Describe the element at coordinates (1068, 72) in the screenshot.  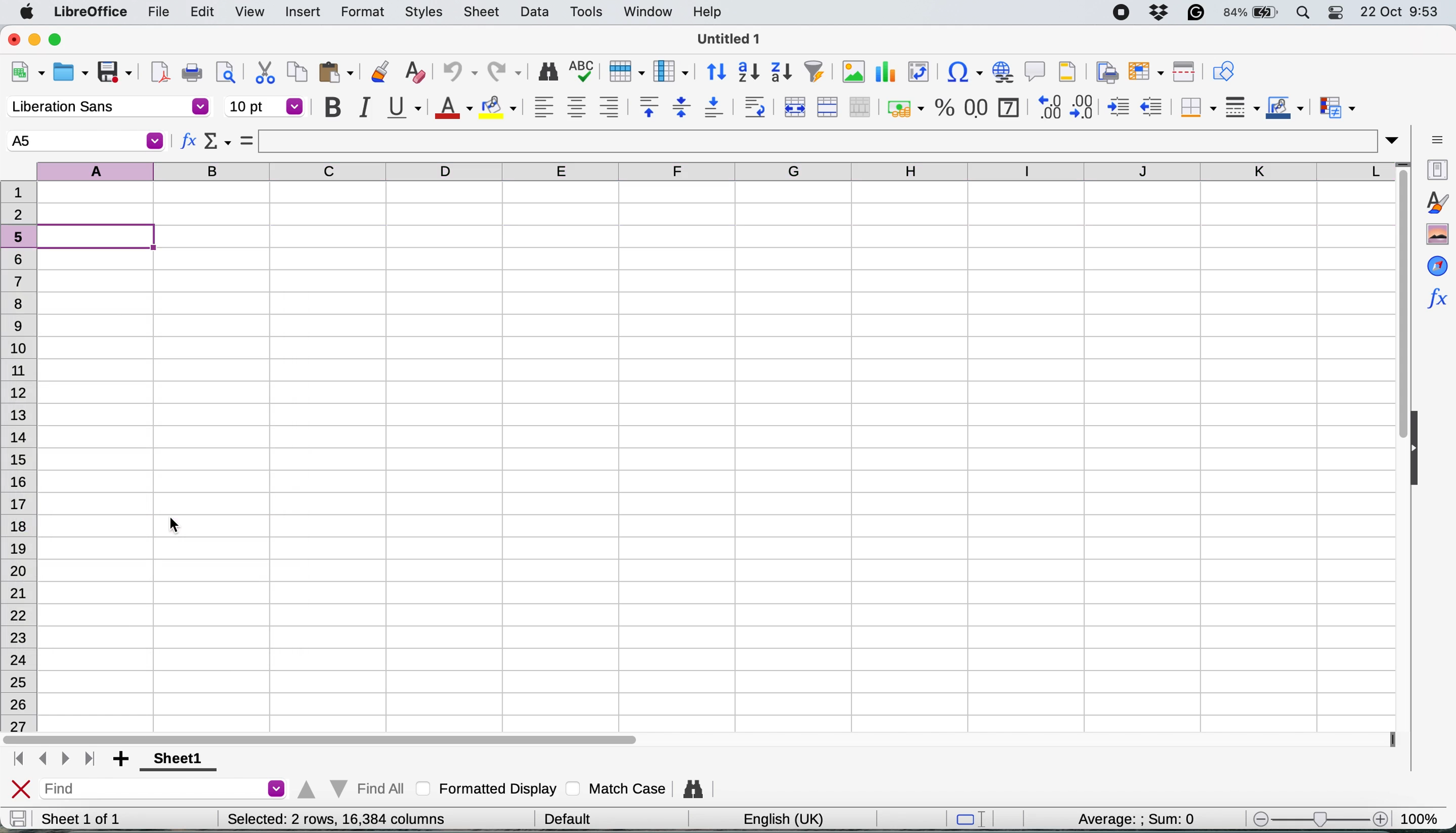
I see `headers and footers` at that location.